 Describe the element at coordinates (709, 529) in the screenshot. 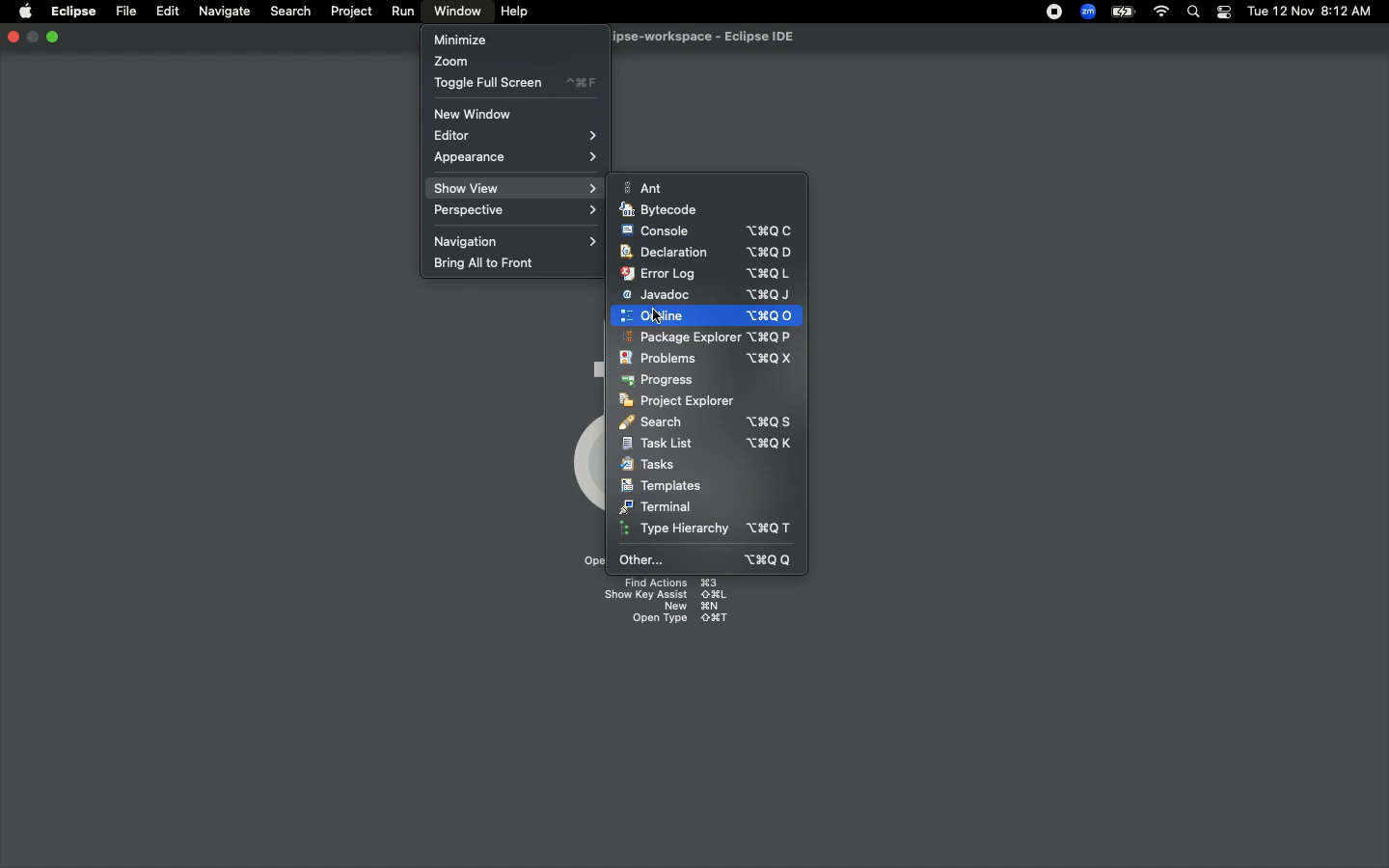

I see `Type hierarchy` at that location.